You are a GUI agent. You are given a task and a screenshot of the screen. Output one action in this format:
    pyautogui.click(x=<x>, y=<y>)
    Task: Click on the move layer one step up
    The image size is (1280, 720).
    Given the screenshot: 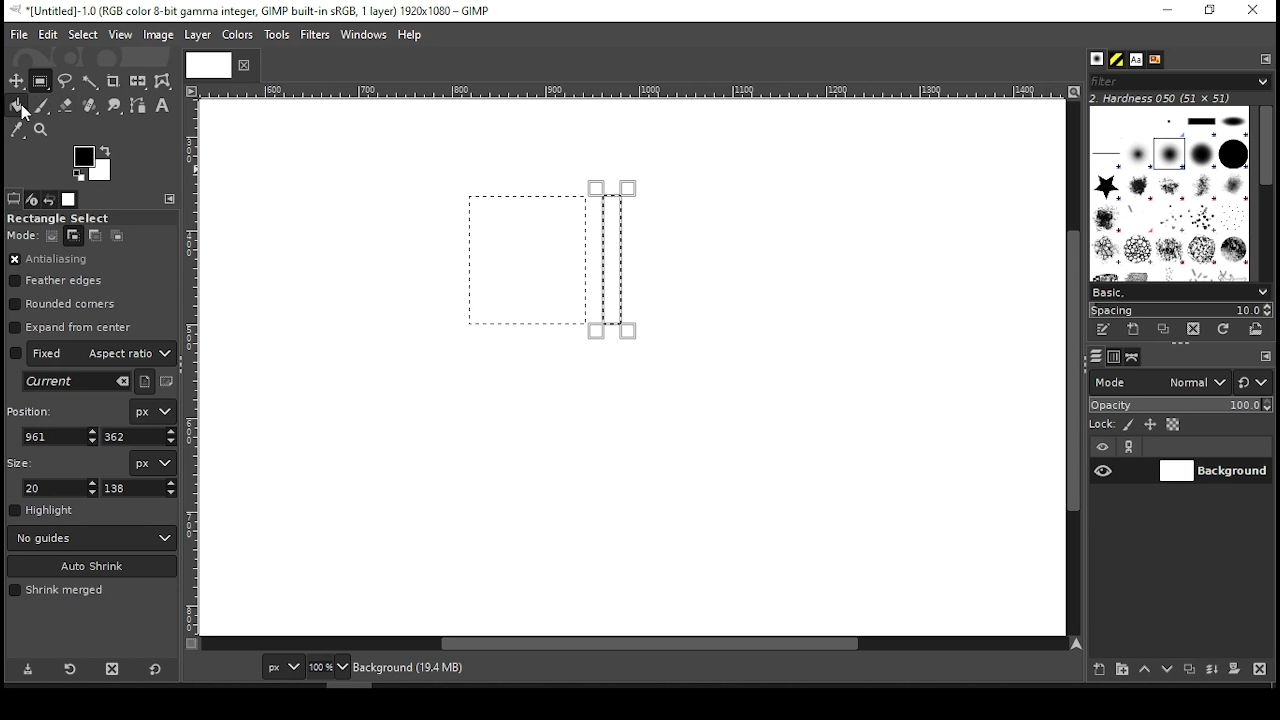 What is the action you would take?
    pyautogui.click(x=1145, y=671)
    